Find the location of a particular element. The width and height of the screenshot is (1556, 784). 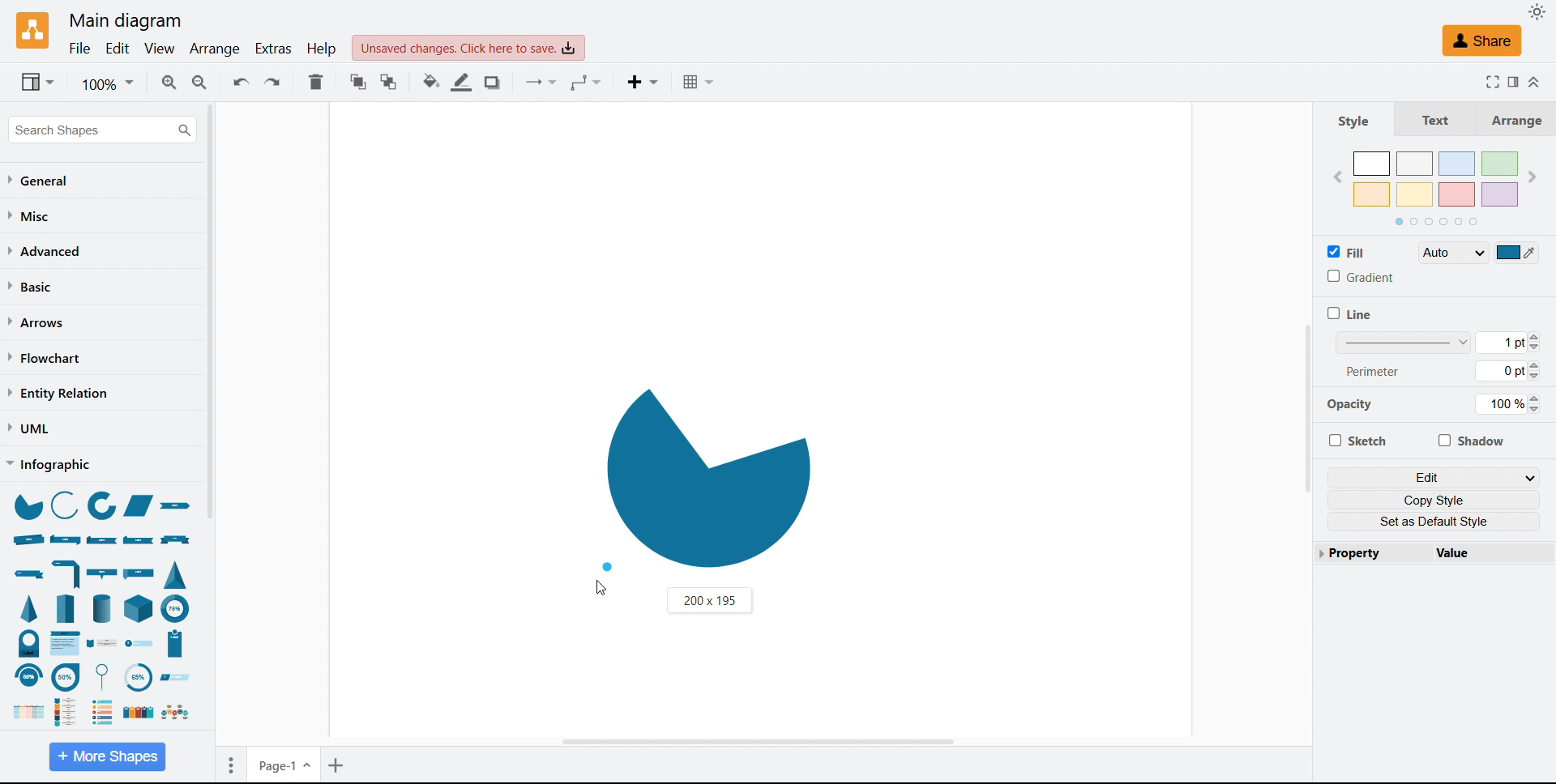

Copy style  is located at coordinates (1434, 500).